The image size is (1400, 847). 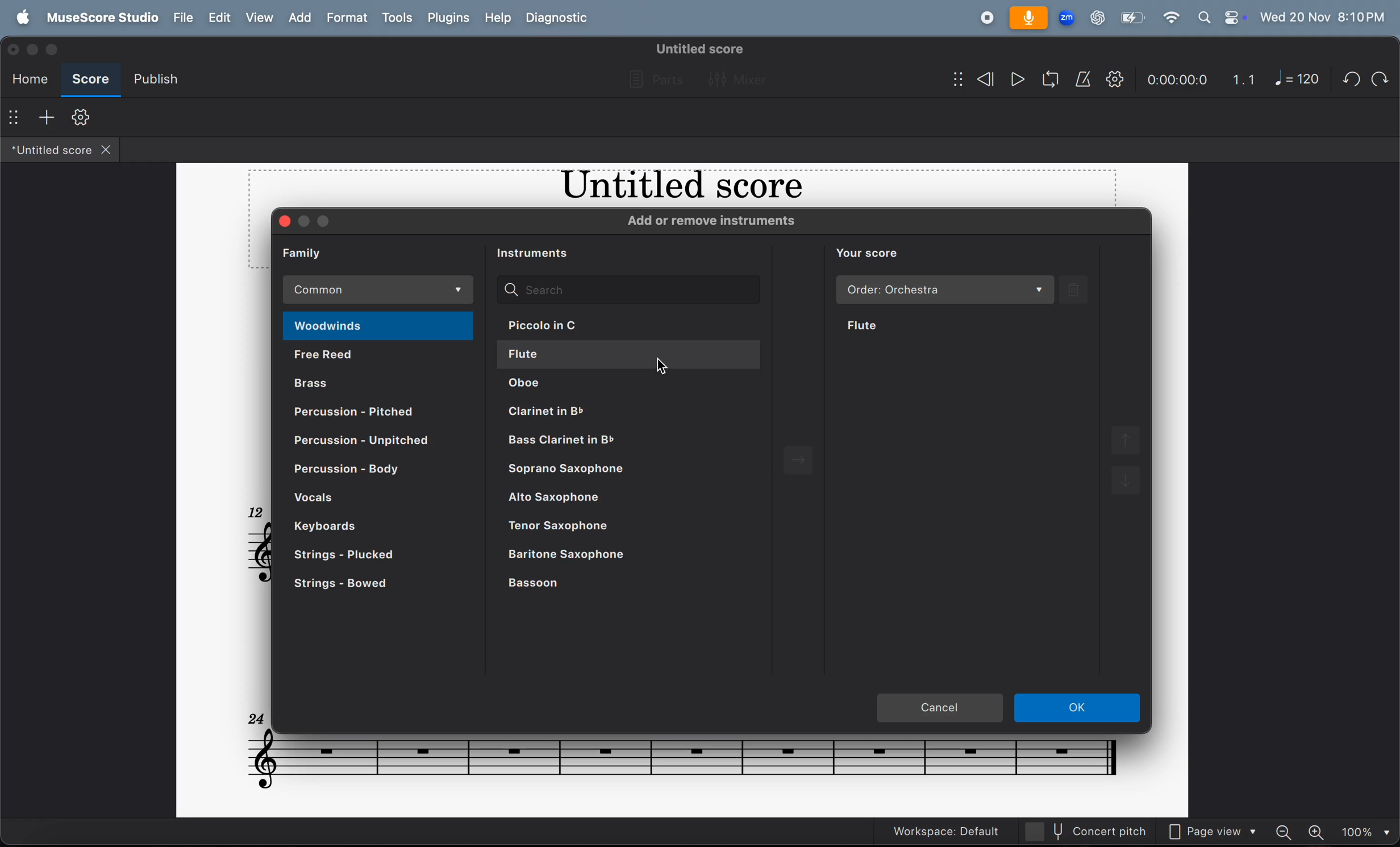 I want to click on flute, so click(x=894, y=323).